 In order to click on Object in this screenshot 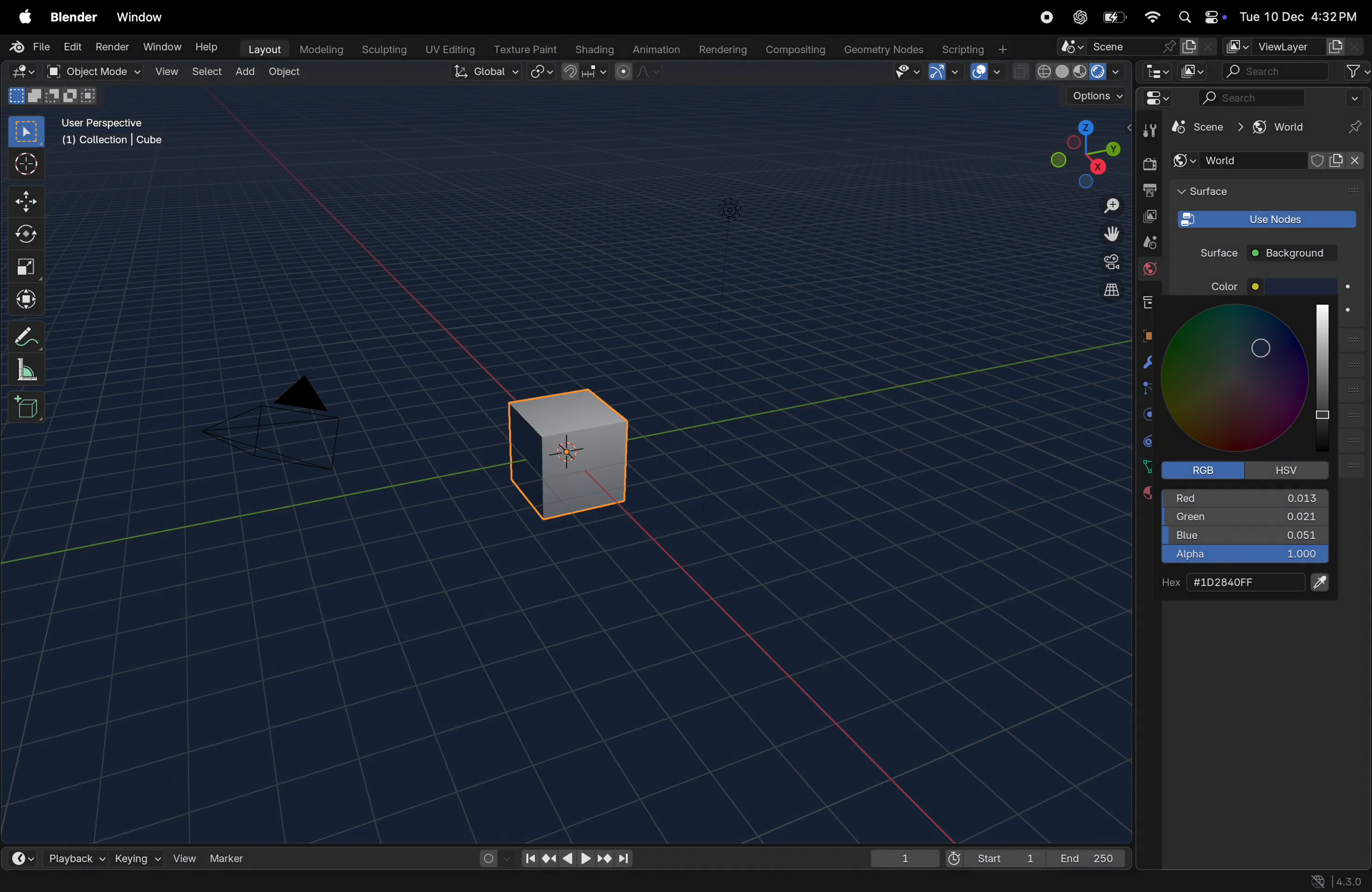, I will do `click(287, 73)`.